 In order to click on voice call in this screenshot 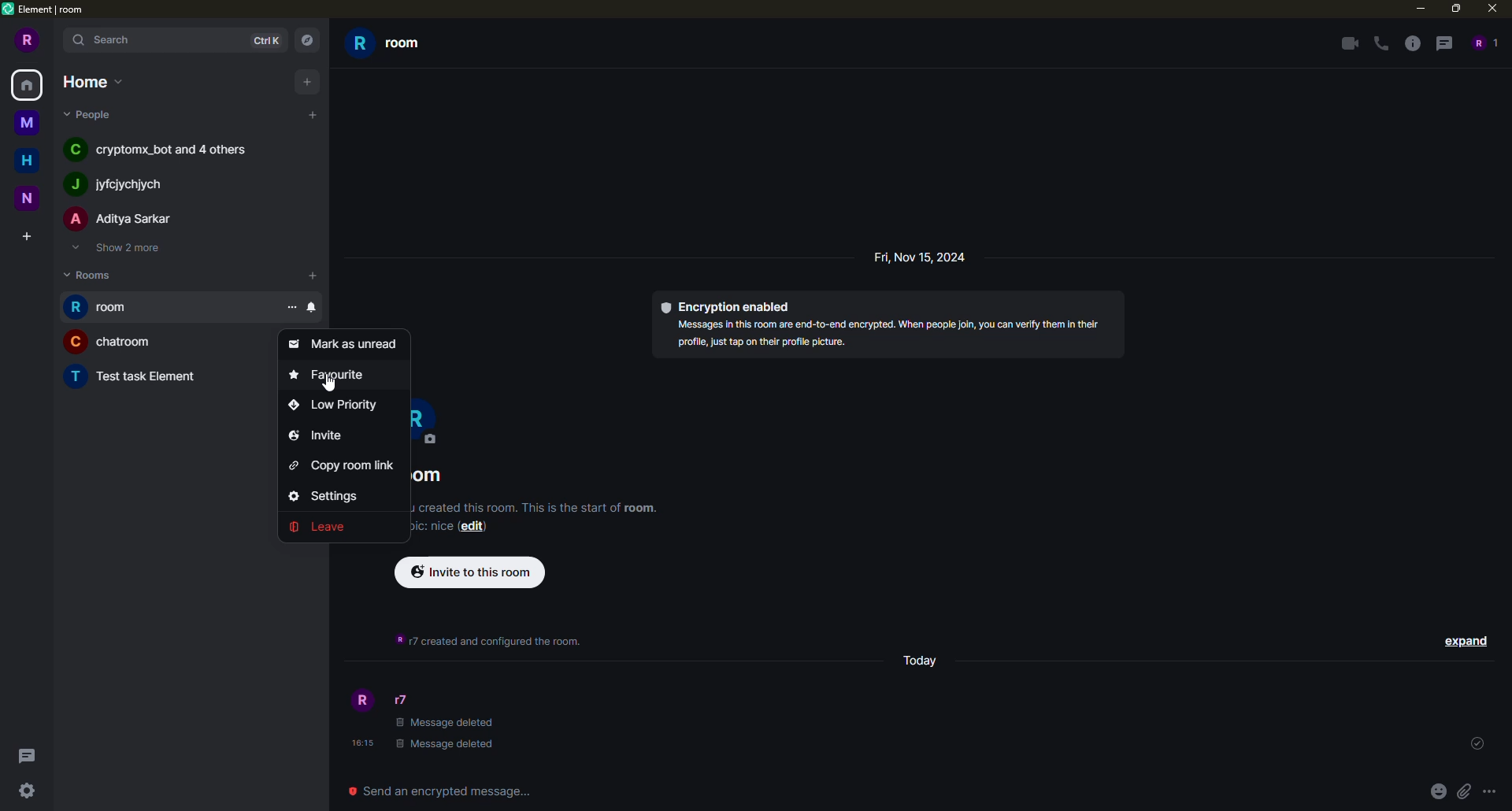, I will do `click(1378, 43)`.